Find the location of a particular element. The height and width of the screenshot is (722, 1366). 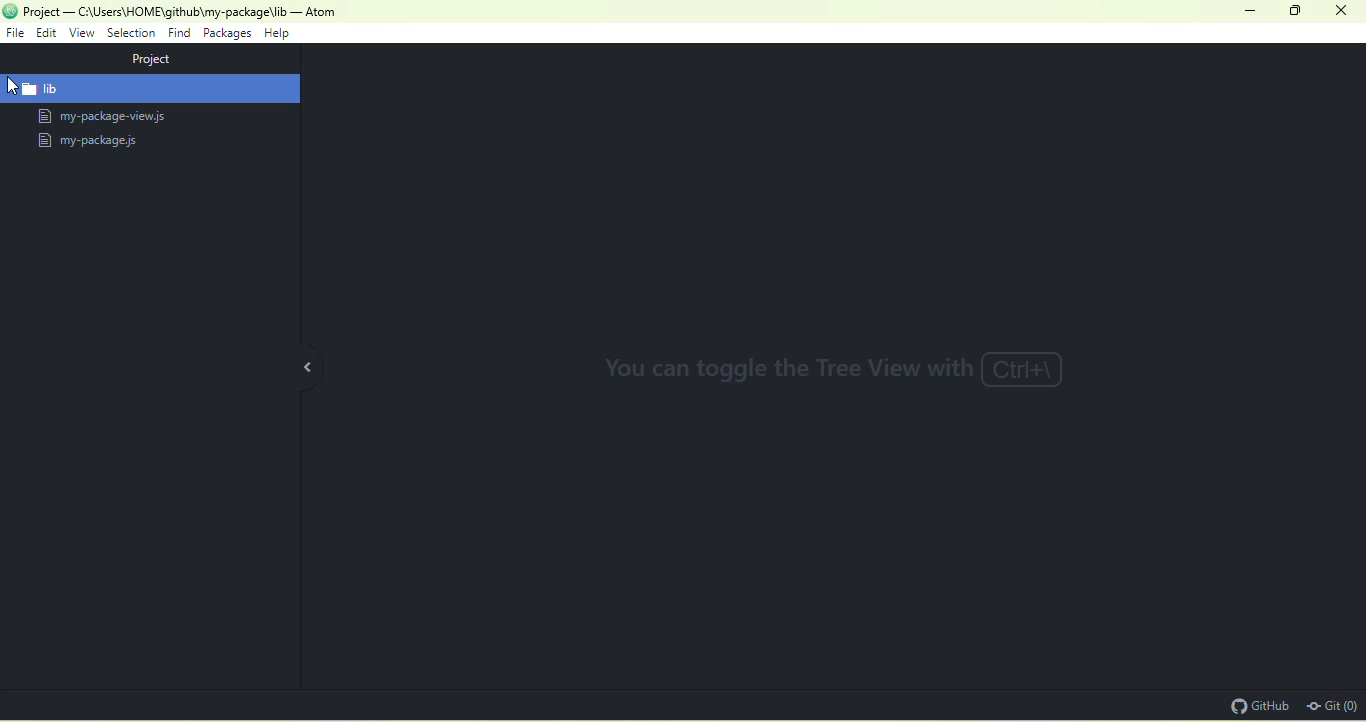

color change in lib is located at coordinates (150, 89).